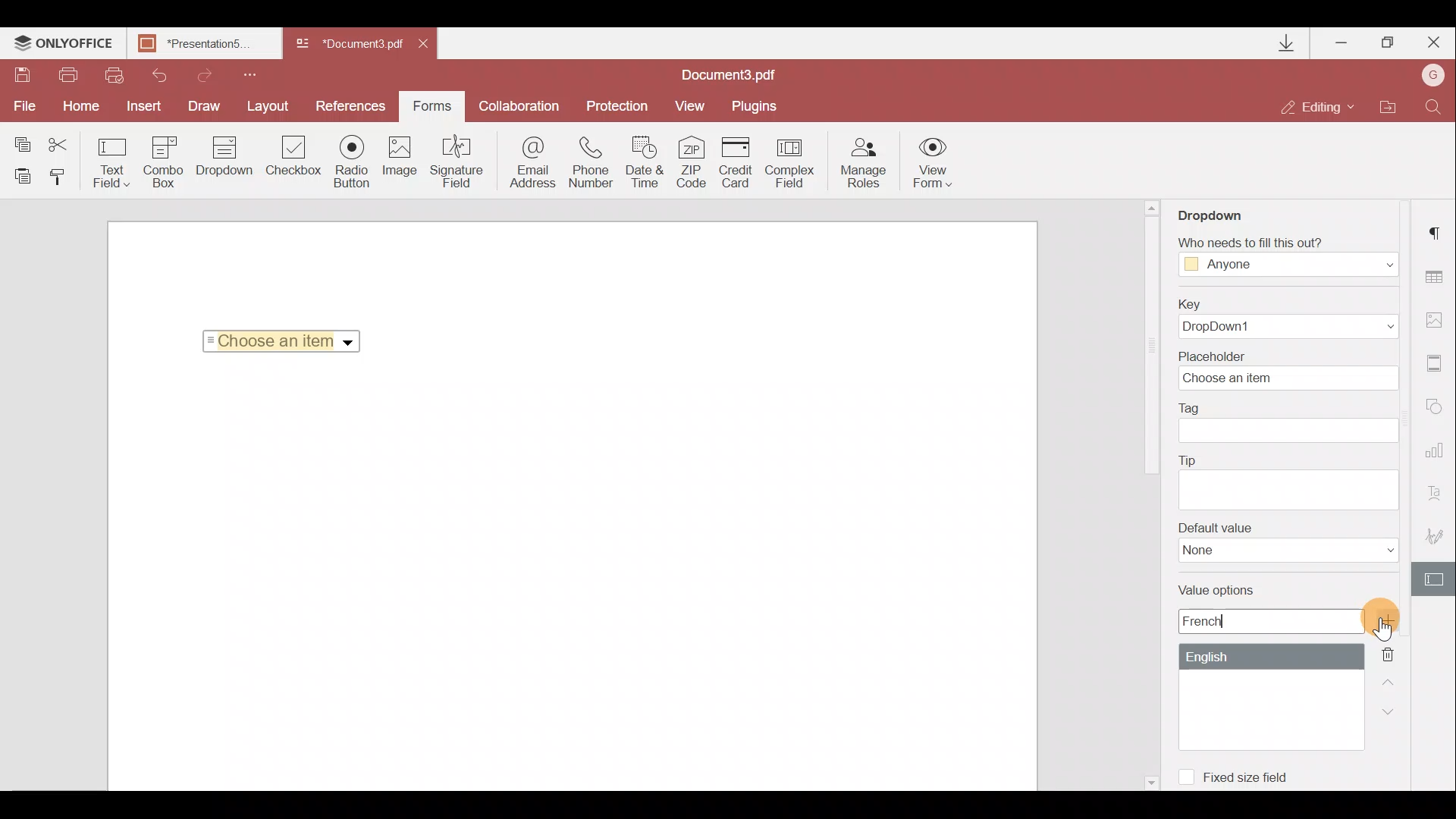  I want to click on Choose an item , so click(287, 338).